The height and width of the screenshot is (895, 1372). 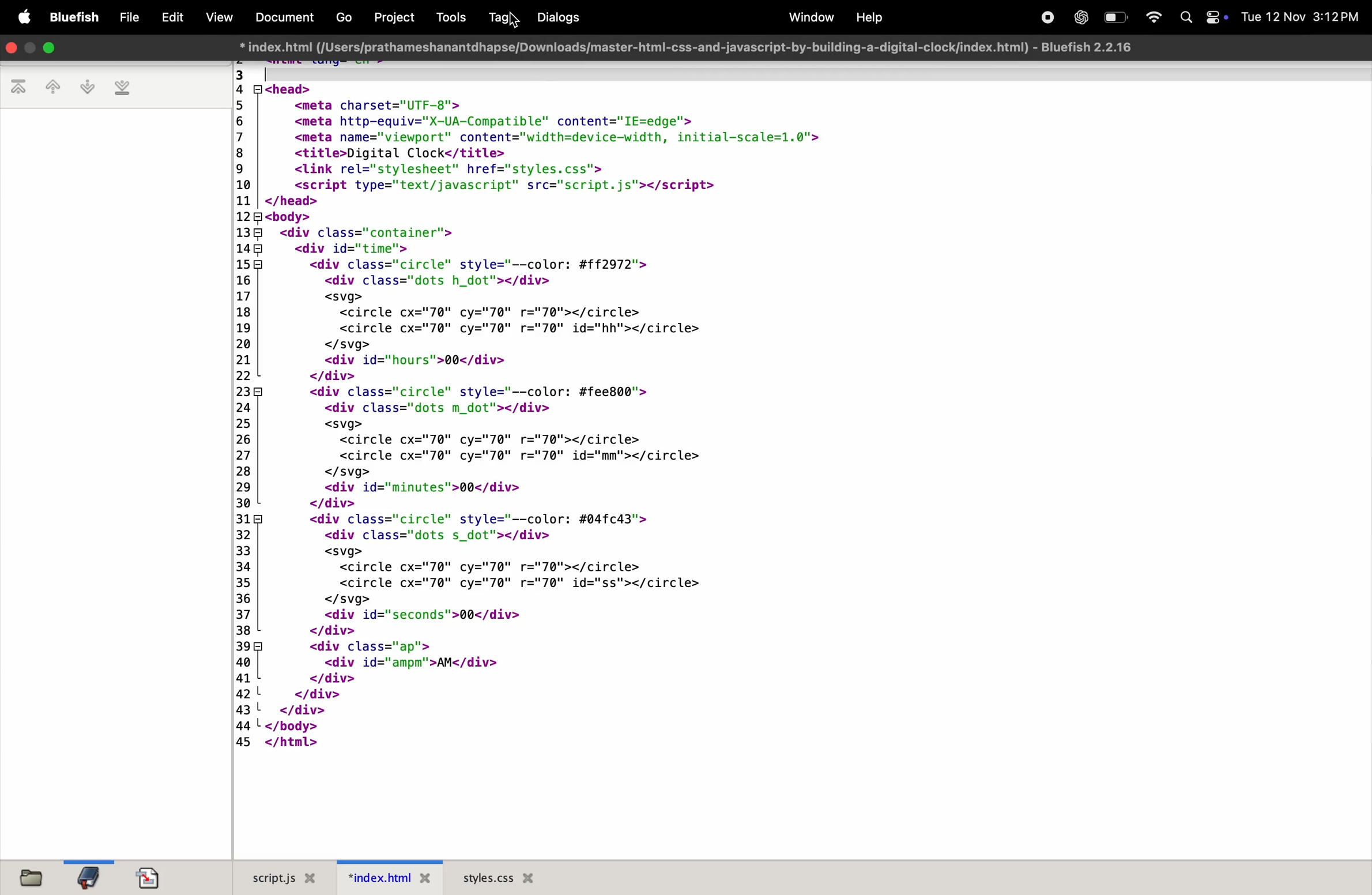 I want to click on next book mark, so click(x=87, y=87).